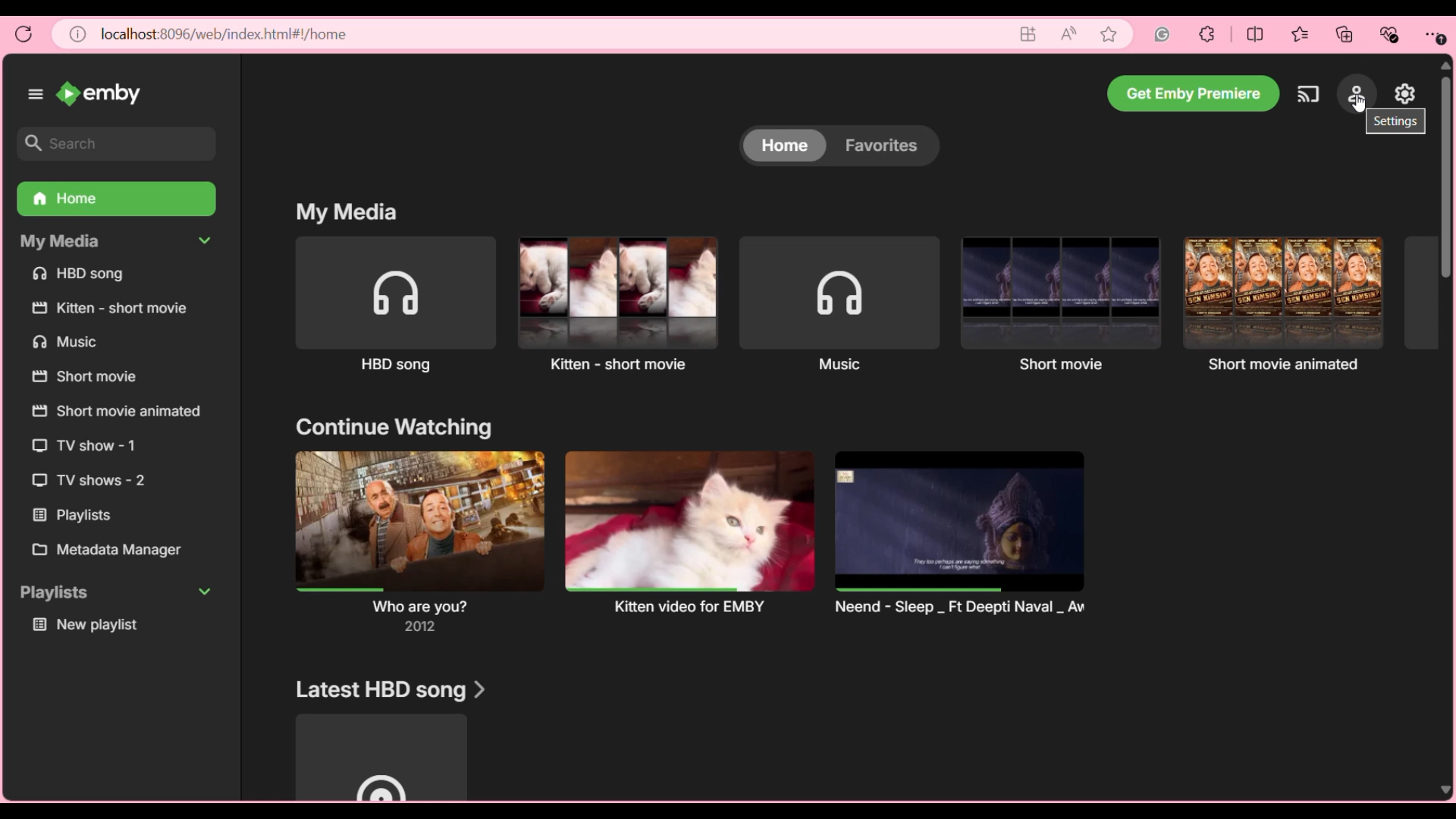 This screenshot has width=1456, height=819. What do you see at coordinates (24, 34) in the screenshot?
I see `Reload page` at bounding box center [24, 34].